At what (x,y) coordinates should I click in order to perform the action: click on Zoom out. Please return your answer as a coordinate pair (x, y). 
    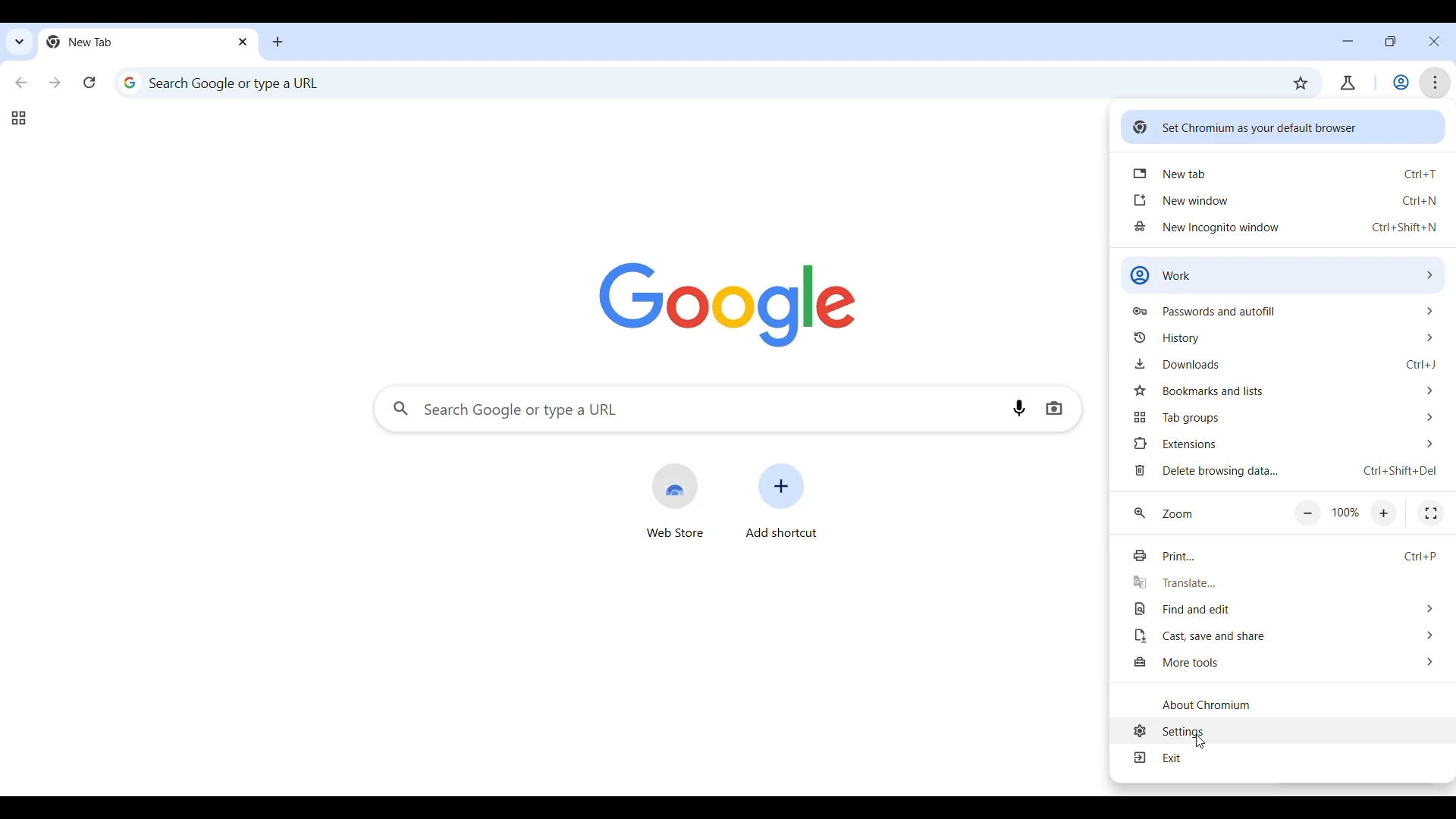
    Looking at the image, I should click on (1307, 514).